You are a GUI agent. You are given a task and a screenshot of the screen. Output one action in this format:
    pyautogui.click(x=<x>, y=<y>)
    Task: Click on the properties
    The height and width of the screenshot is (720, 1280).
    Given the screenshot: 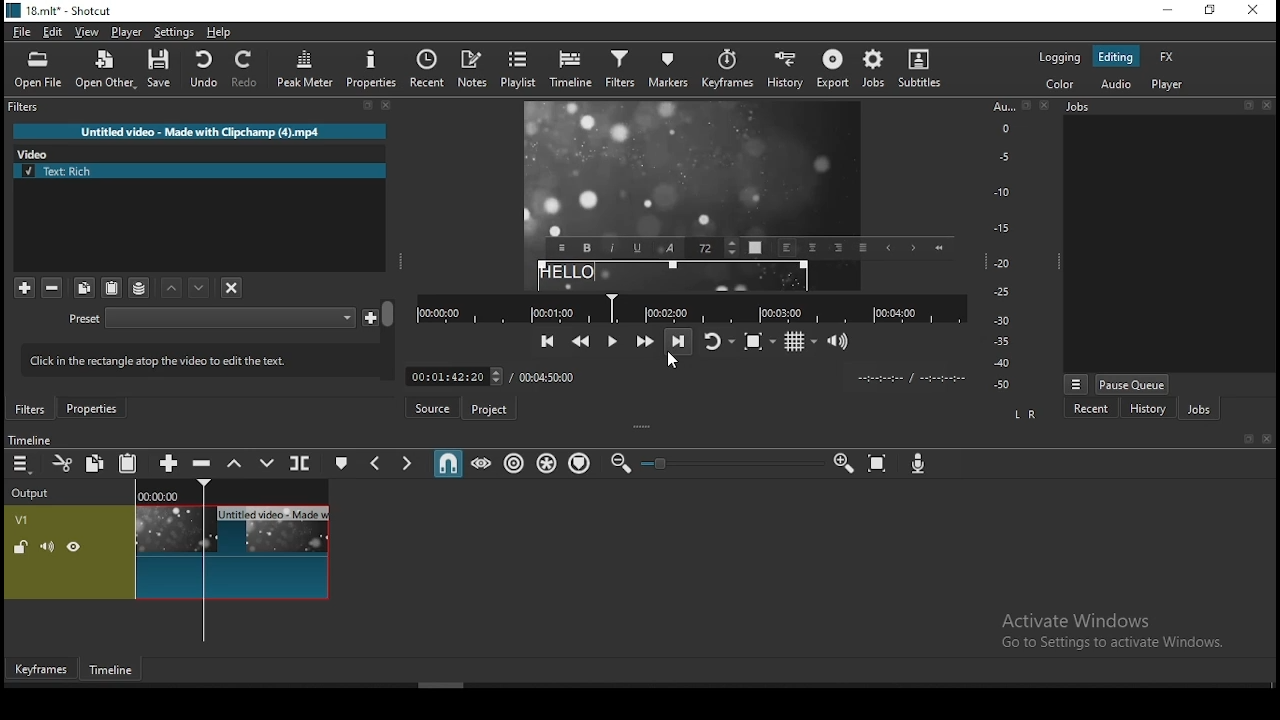 What is the action you would take?
    pyautogui.click(x=369, y=69)
    